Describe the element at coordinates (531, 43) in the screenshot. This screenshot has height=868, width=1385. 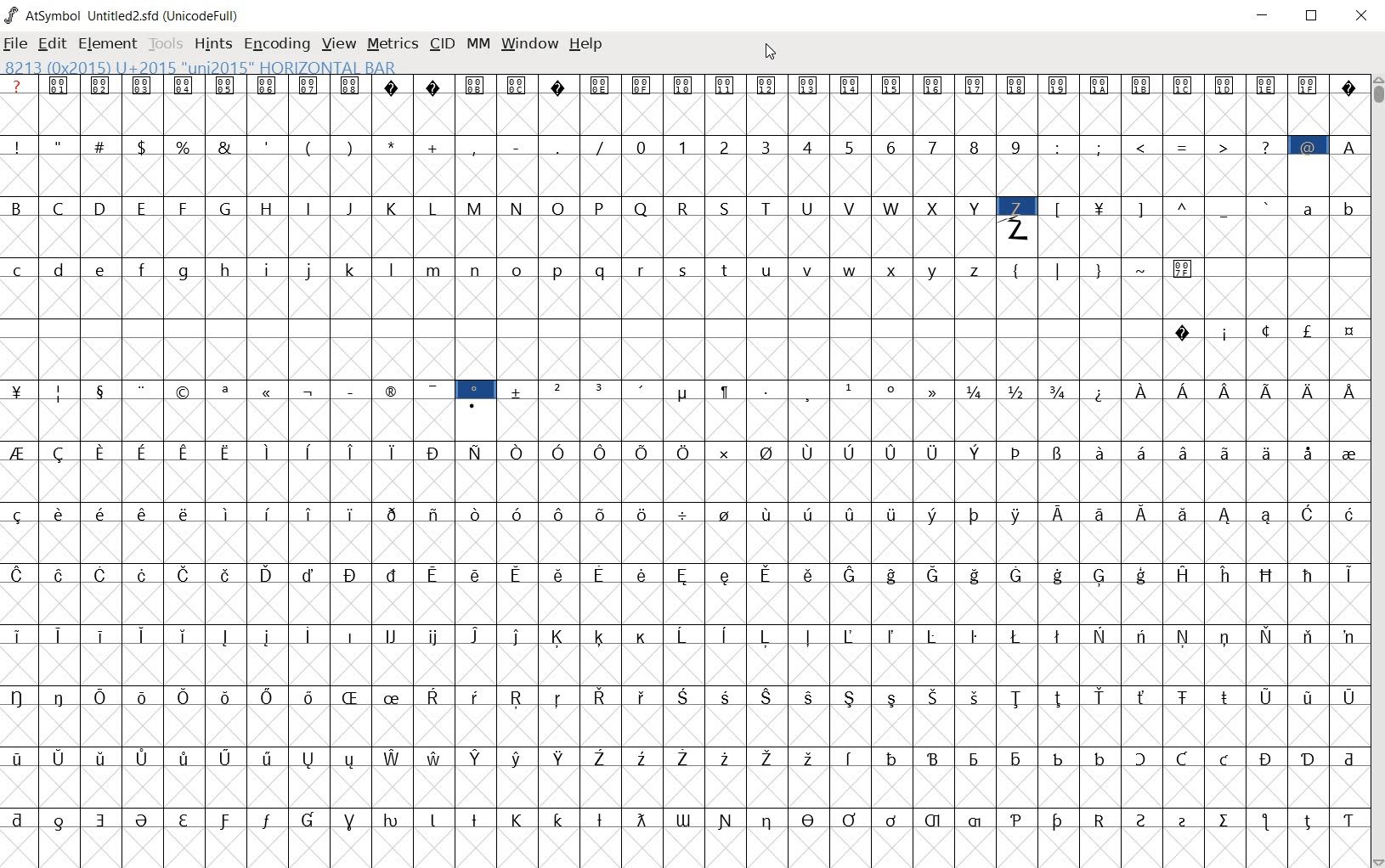
I see `WINDOW` at that location.